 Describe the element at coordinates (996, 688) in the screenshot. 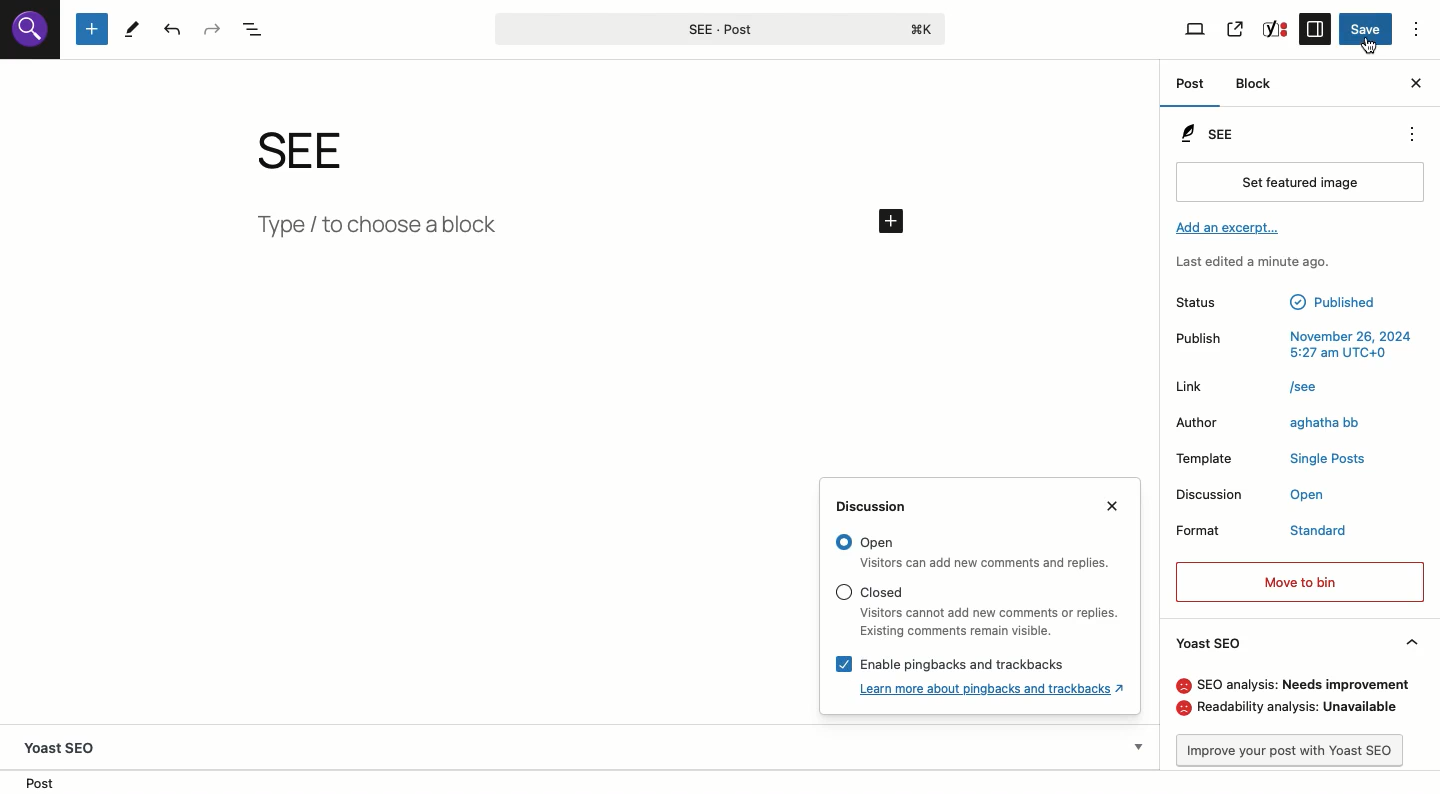

I see `Learn more about pingbacks and trackbacks?` at that location.